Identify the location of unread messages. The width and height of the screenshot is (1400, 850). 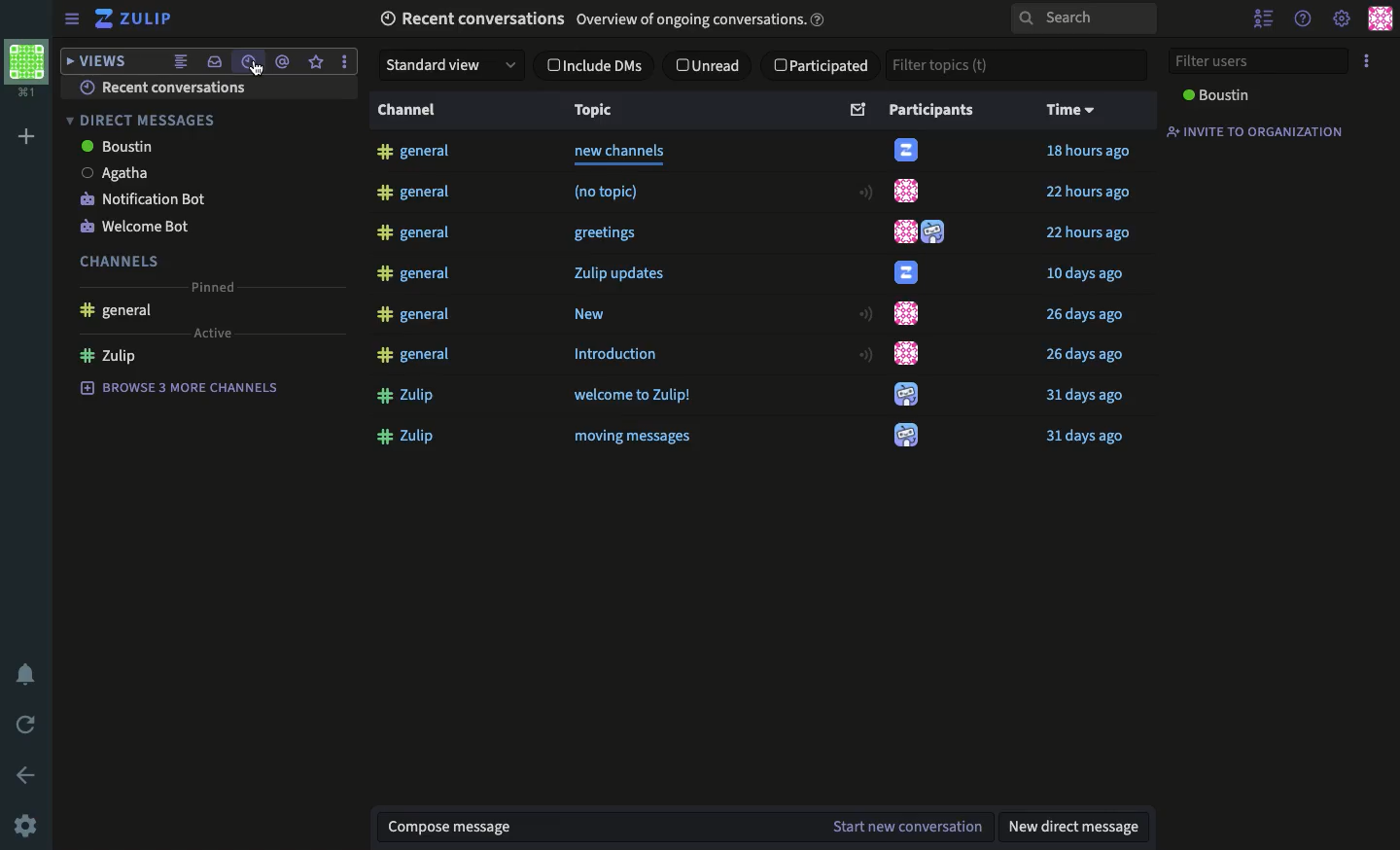
(858, 114).